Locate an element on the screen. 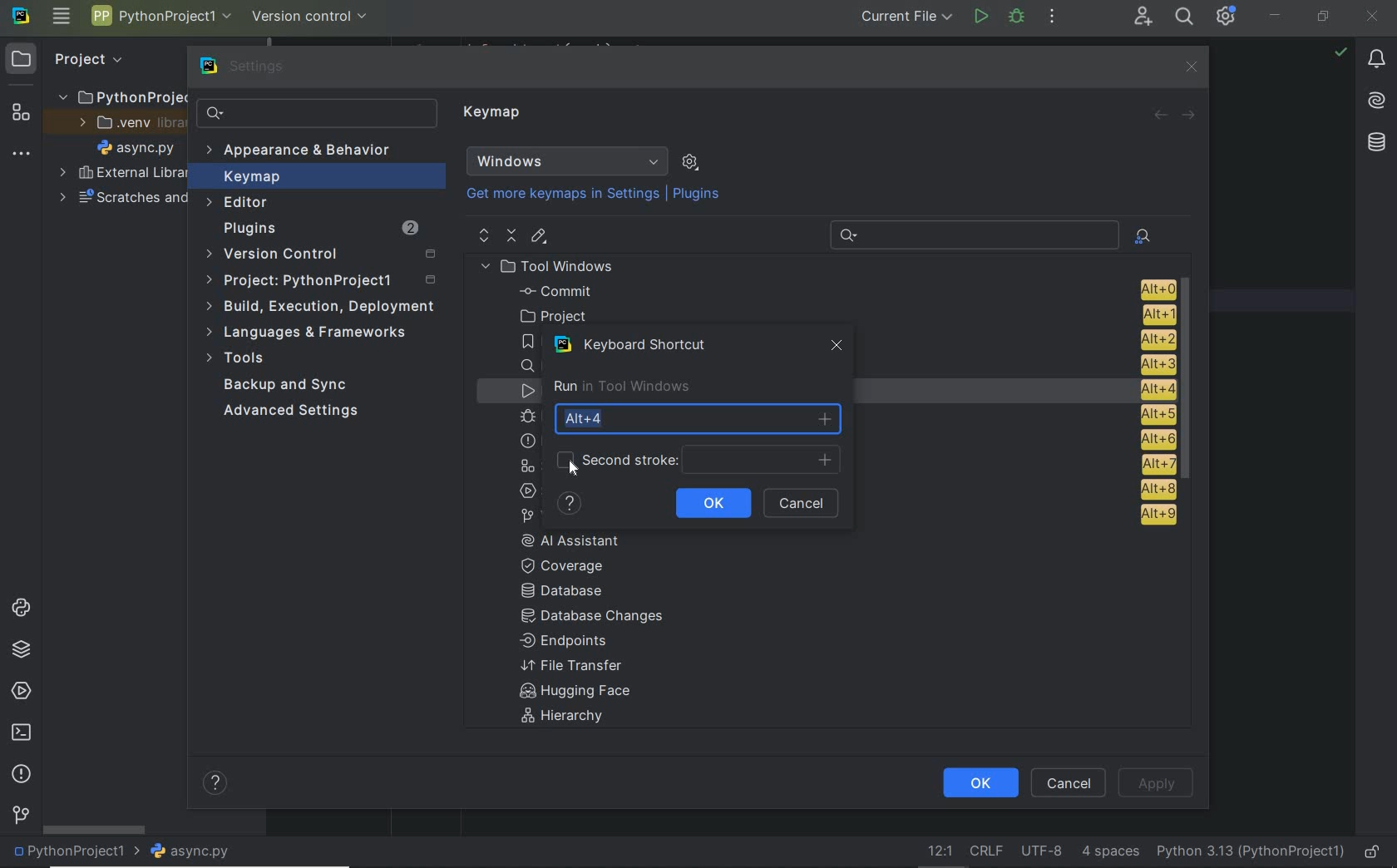 The width and height of the screenshot is (1397, 868). Database changes is located at coordinates (594, 618).